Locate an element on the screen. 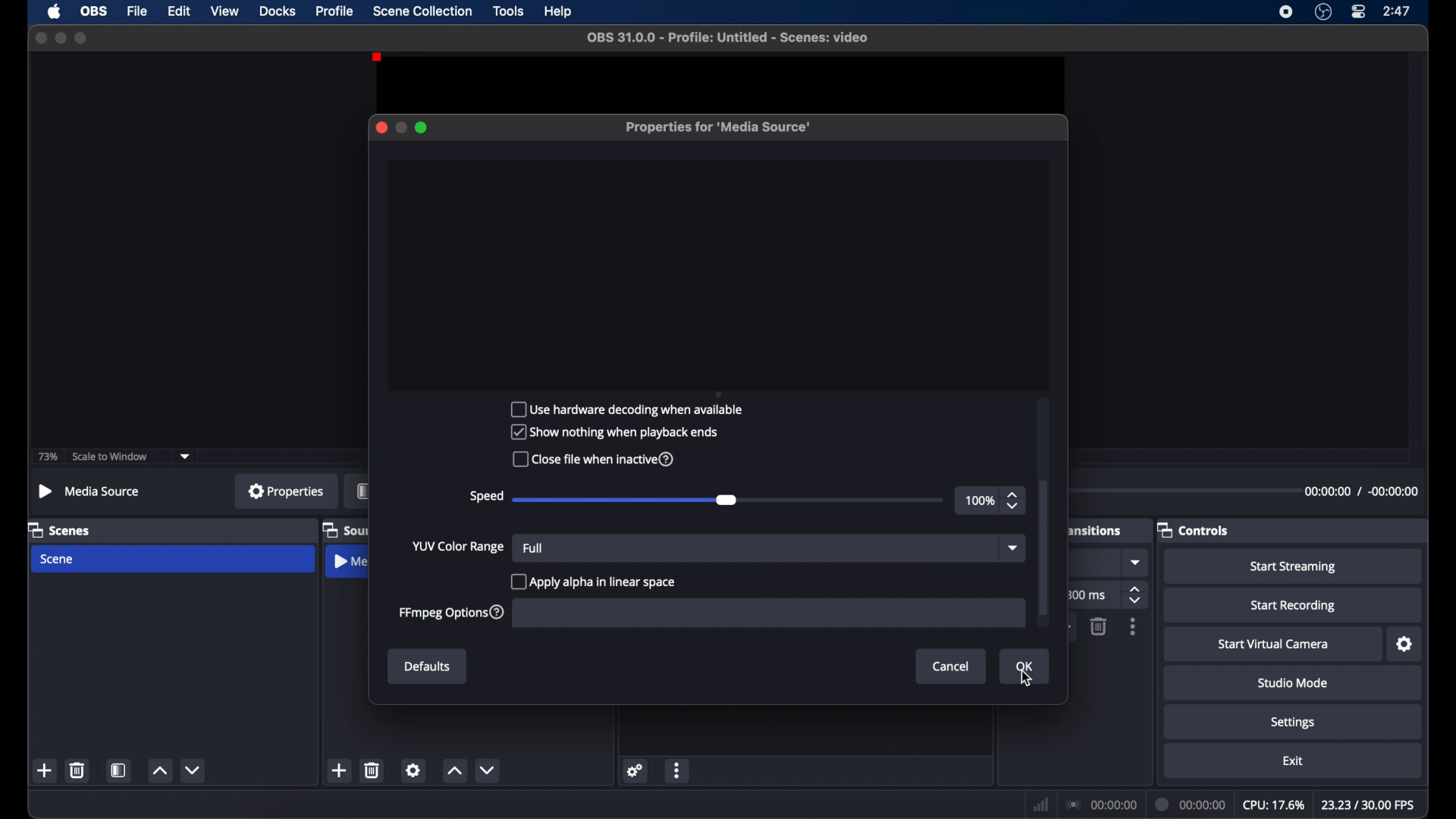 The height and width of the screenshot is (819, 1456). decrement button is located at coordinates (194, 769).